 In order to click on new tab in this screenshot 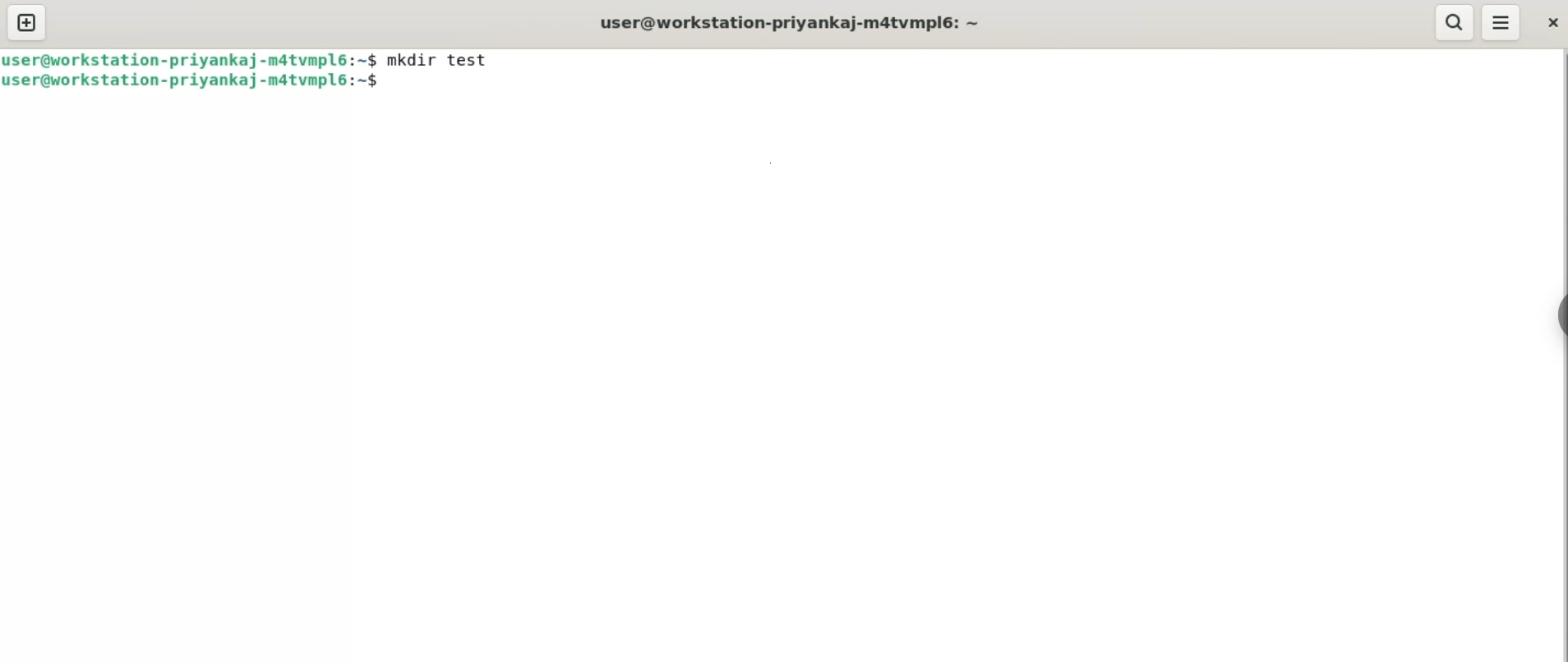, I will do `click(26, 24)`.